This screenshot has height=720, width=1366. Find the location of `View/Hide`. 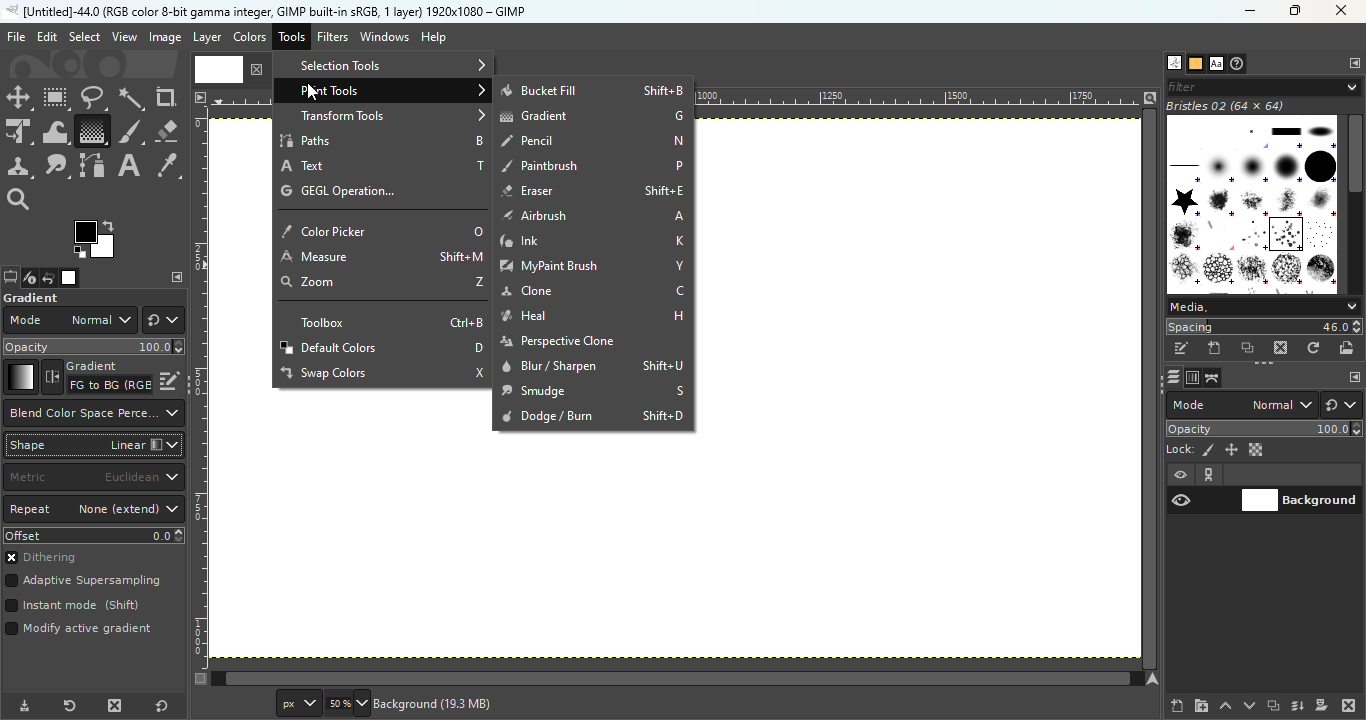

View/Hide is located at coordinates (1202, 488).